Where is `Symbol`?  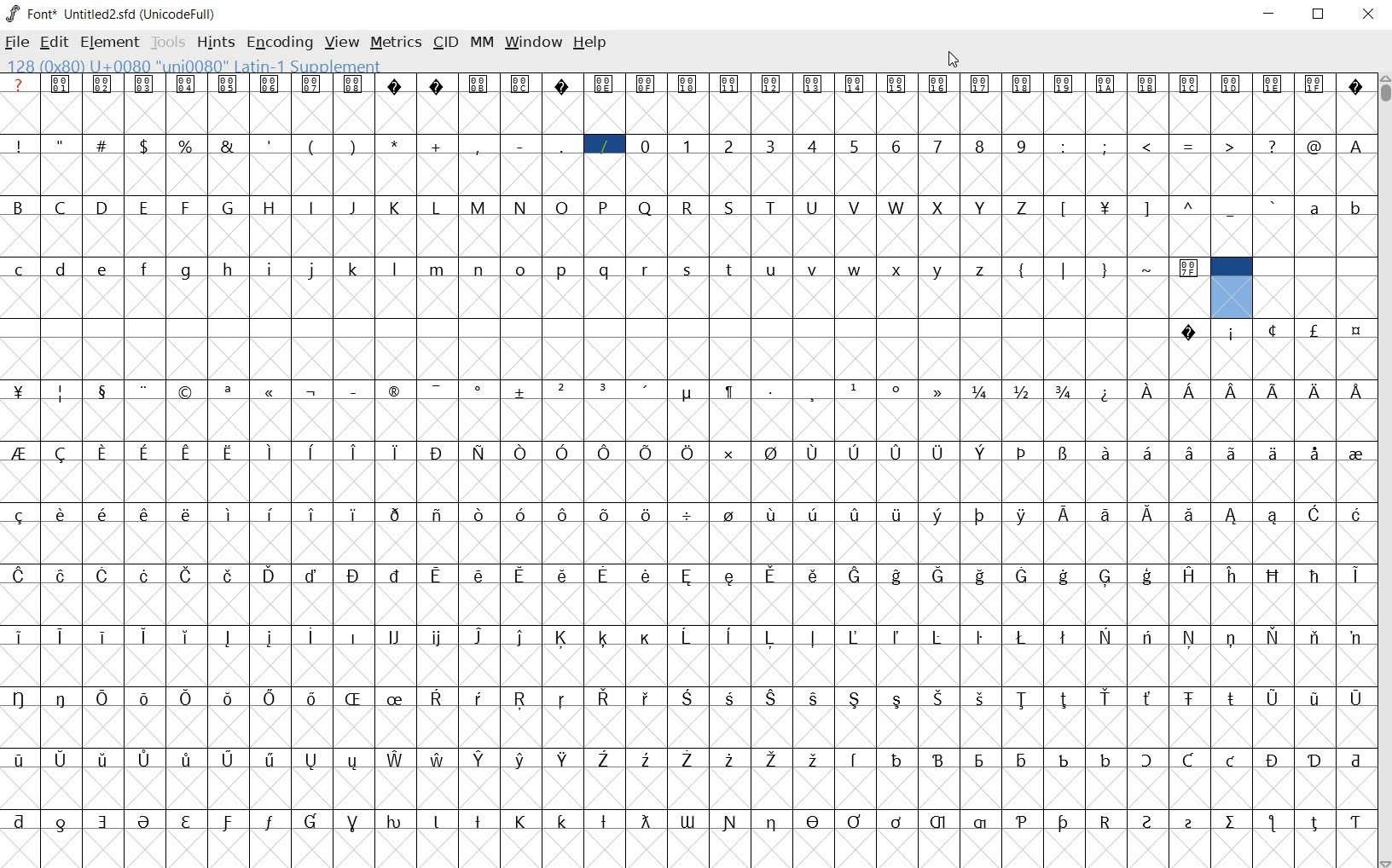
Symbol is located at coordinates (64, 574).